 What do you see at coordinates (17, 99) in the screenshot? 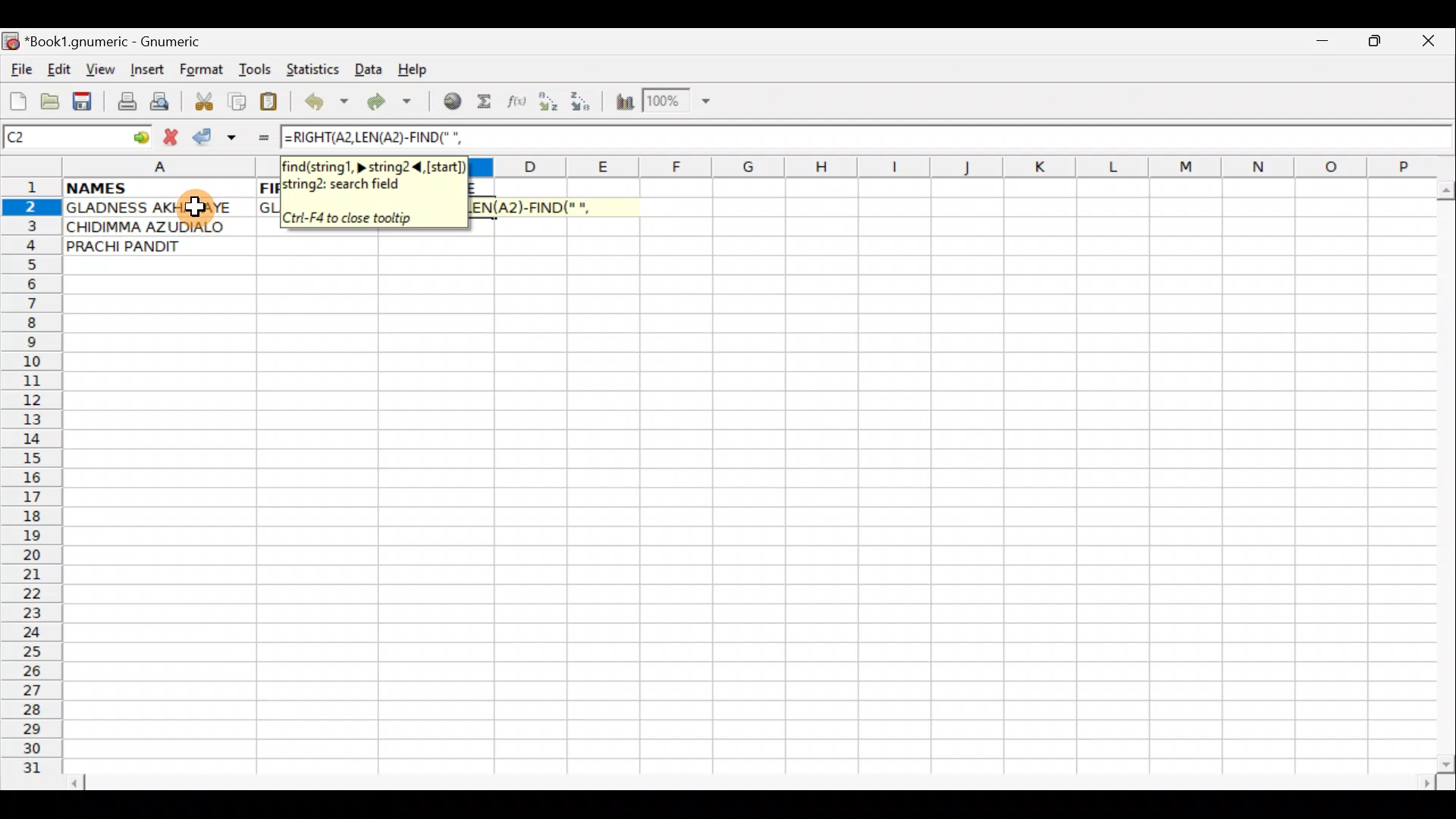
I see `Create new workbook` at bounding box center [17, 99].